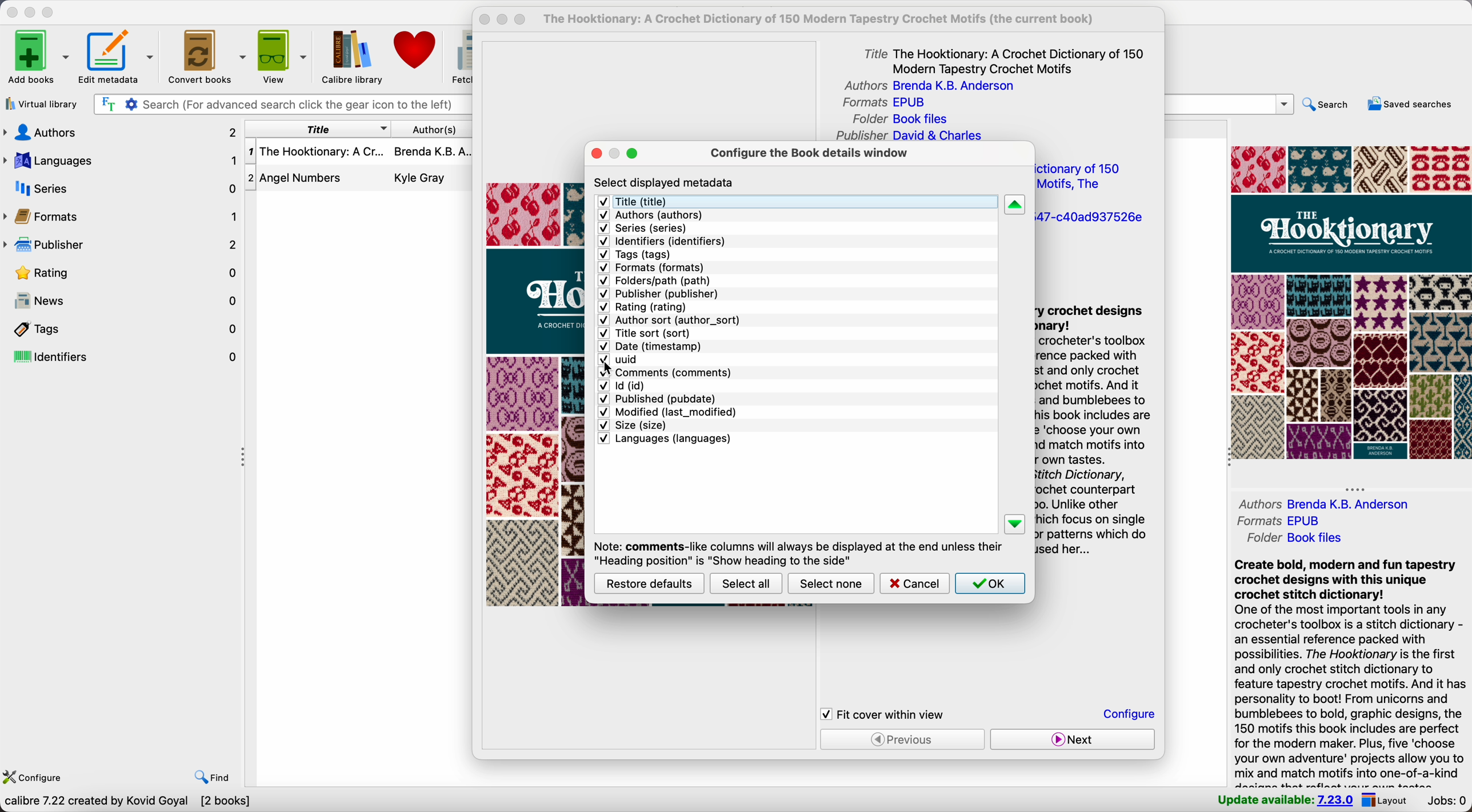 The height and width of the screenshot is (812, 1472). Describe the element at coordinates (665, 439) in the screenshot. I see `languages` at that location.